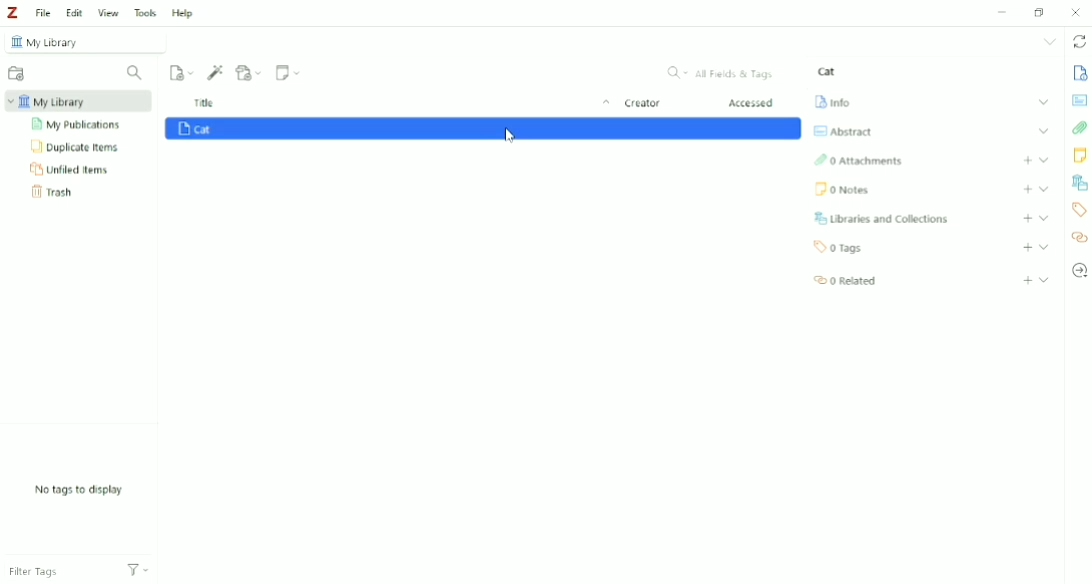  I want to click on All Fields & Tags, so click(722, 73).